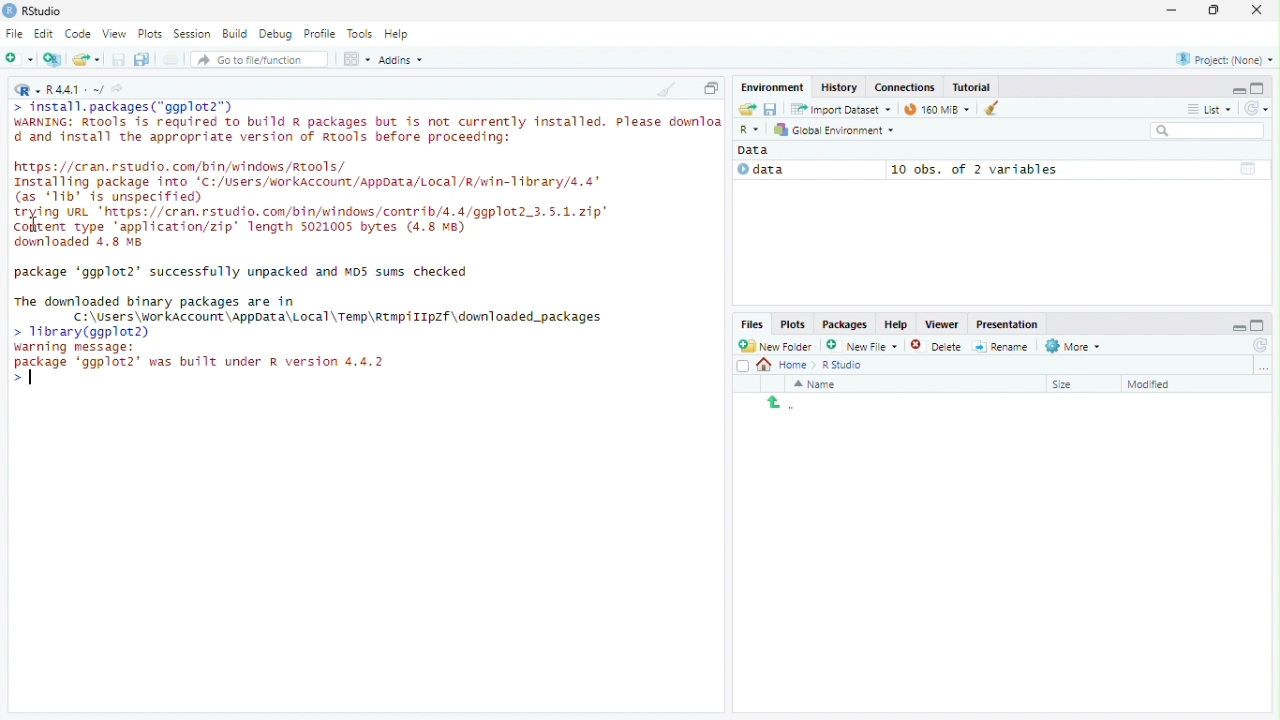 The width and height of the screenshot is (1280, 720). I want to click on back, so click(775, 402).